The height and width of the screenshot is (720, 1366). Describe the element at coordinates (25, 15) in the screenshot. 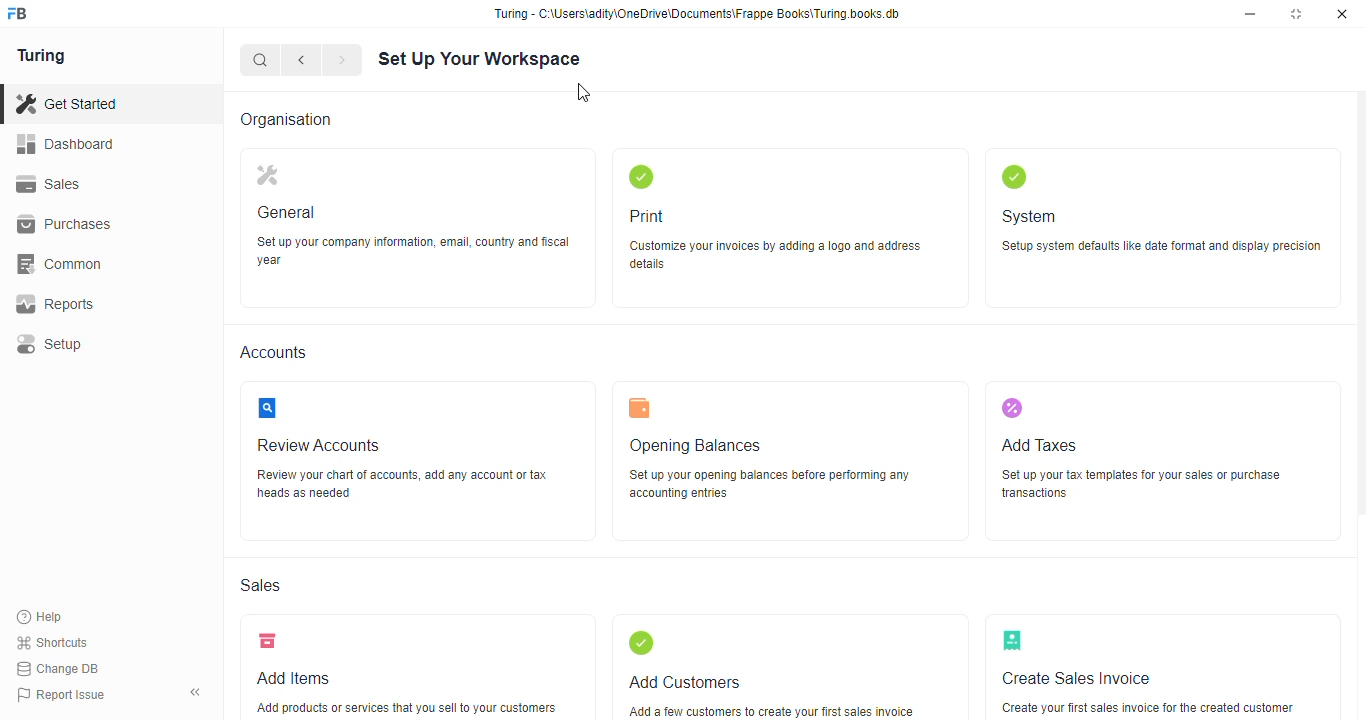

I see `frappe books logo` at that location.